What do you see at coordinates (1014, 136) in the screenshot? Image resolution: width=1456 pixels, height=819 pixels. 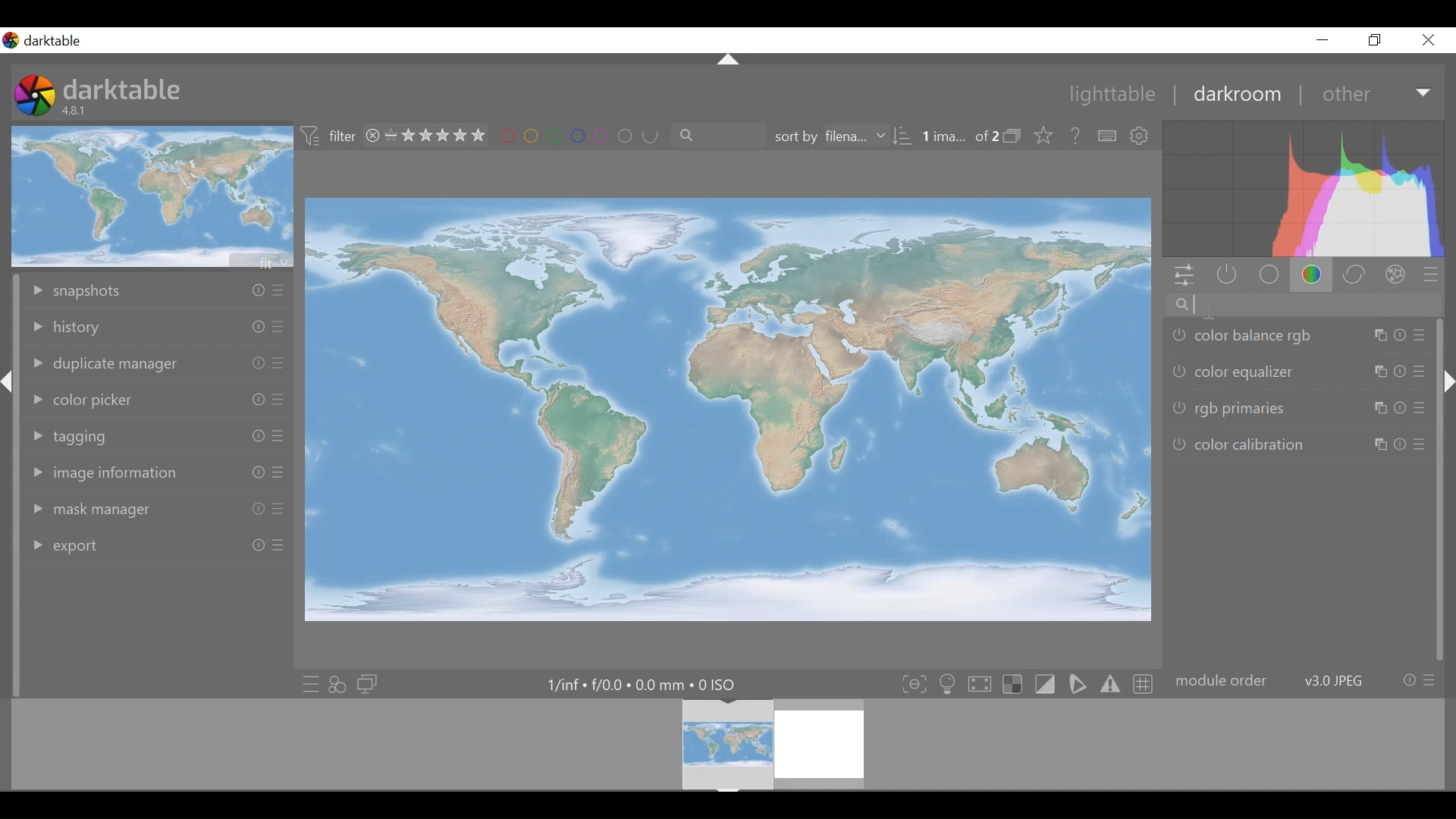 I see `collapse grouped image` at bounding box center [1014, 136].